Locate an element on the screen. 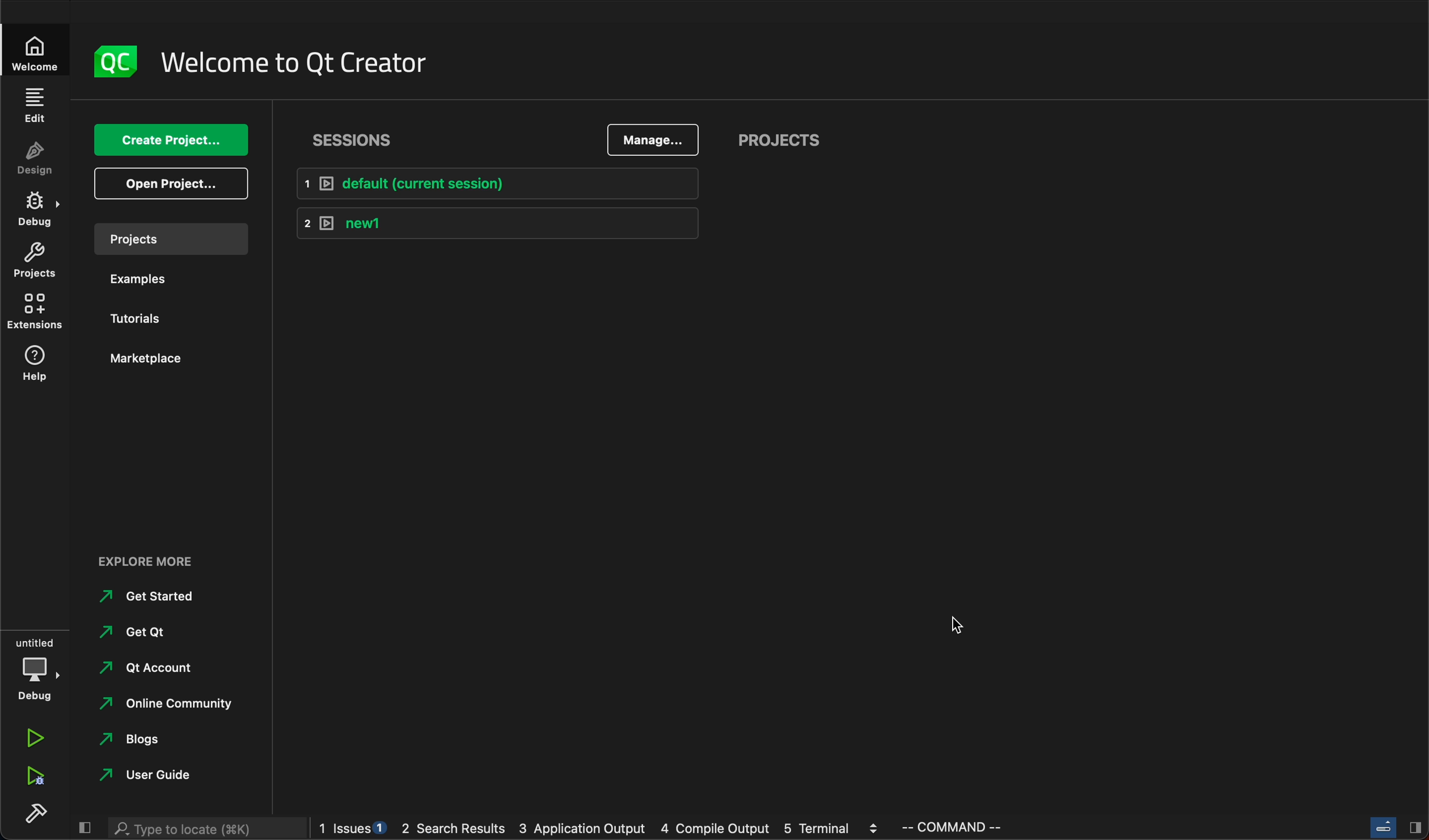  welcome is located at coordinates (34, 51).